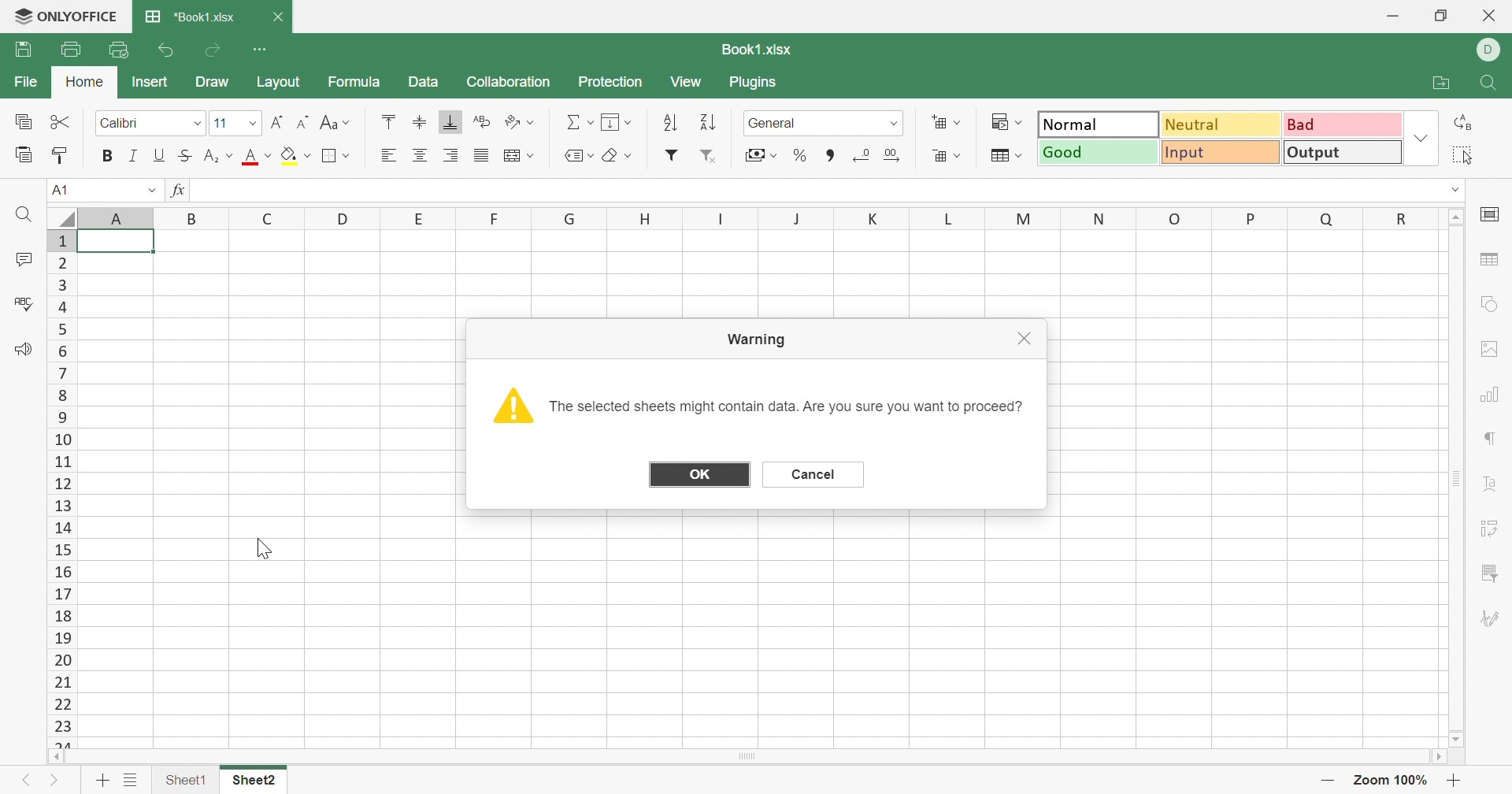 The image size is (1512, 794). I want to click on Pivot Table settings, so click(1492, 529).